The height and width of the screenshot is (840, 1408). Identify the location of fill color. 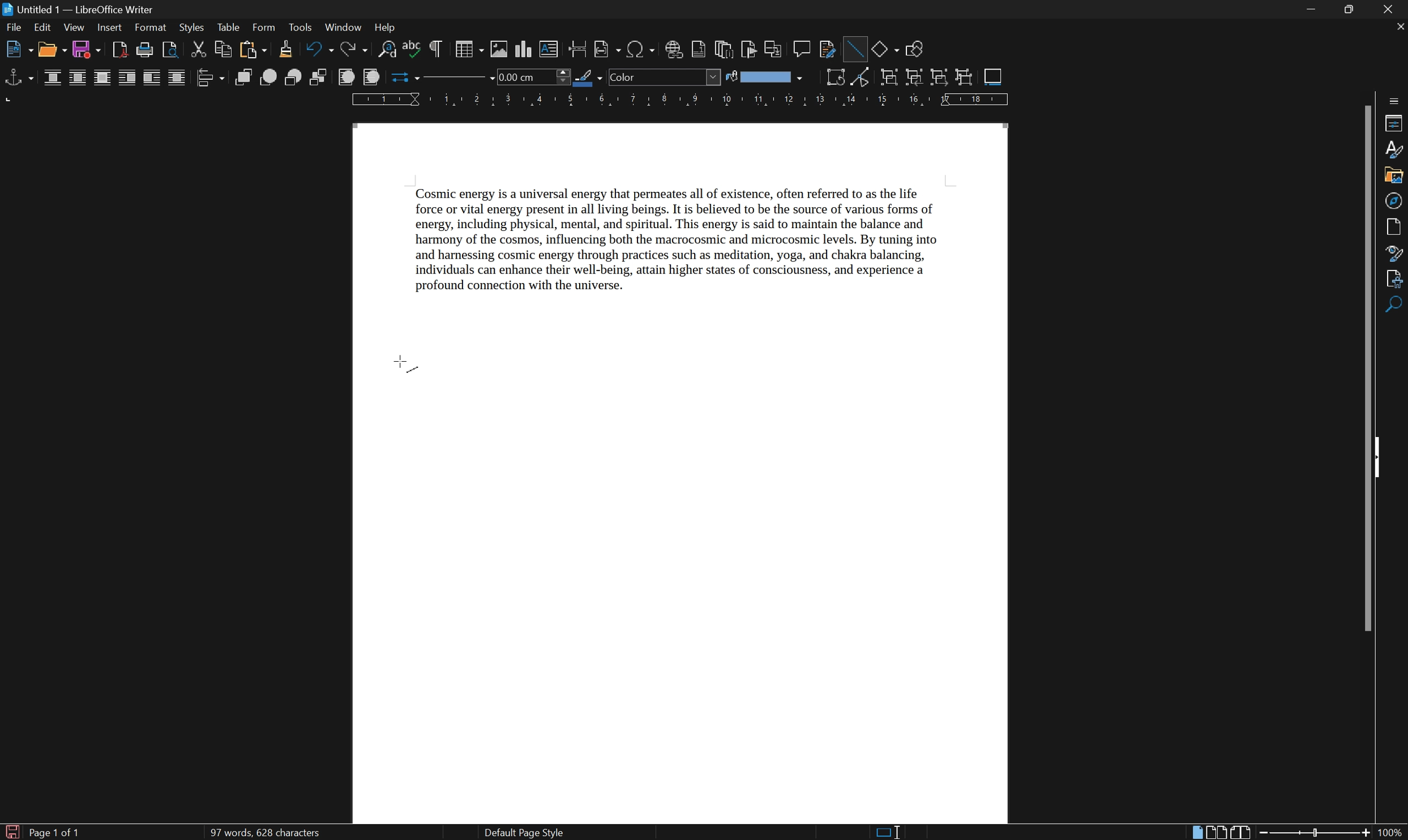
(764, 77).